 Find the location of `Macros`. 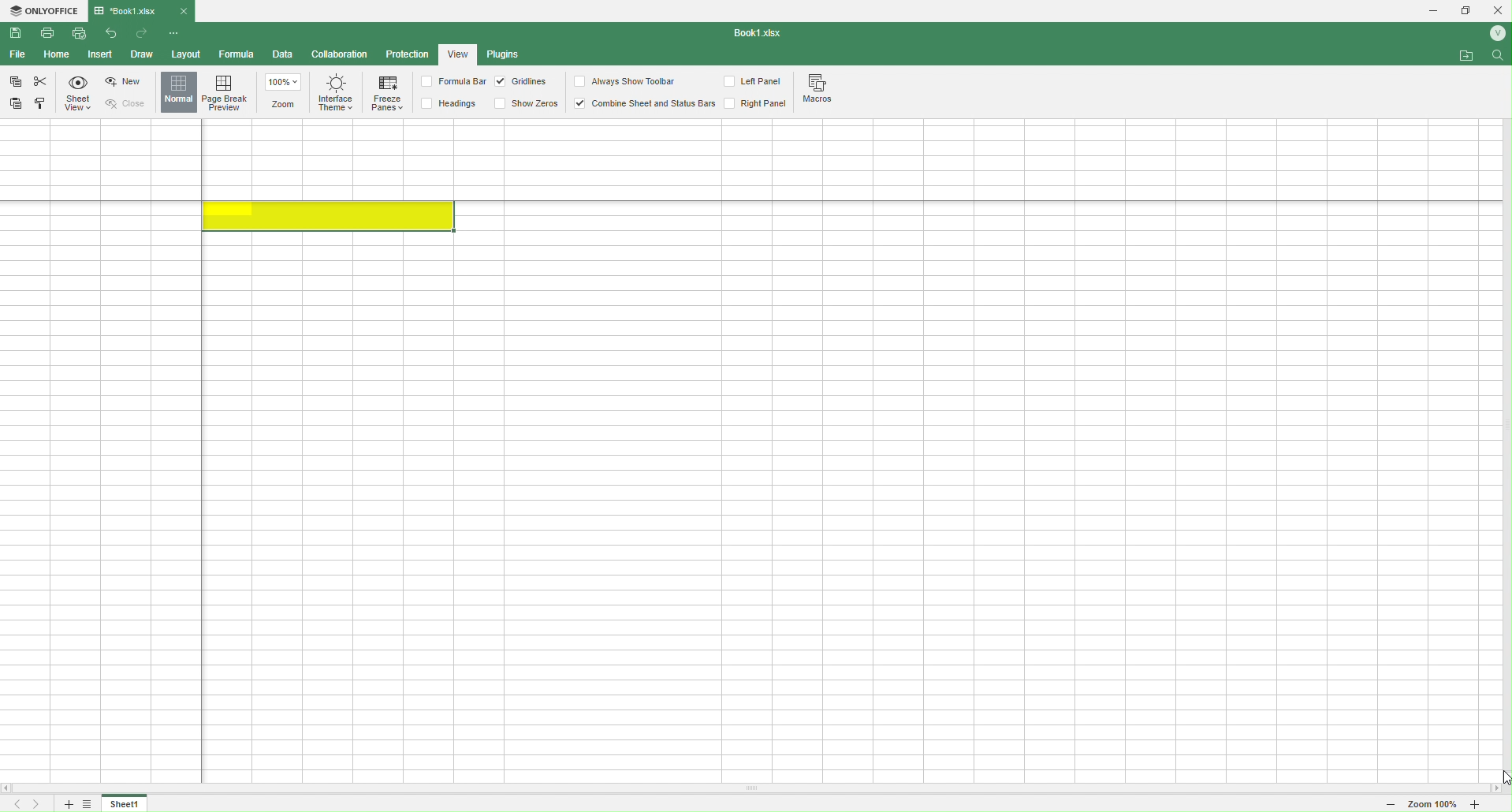

Macros is located at coordinates (822, 91).